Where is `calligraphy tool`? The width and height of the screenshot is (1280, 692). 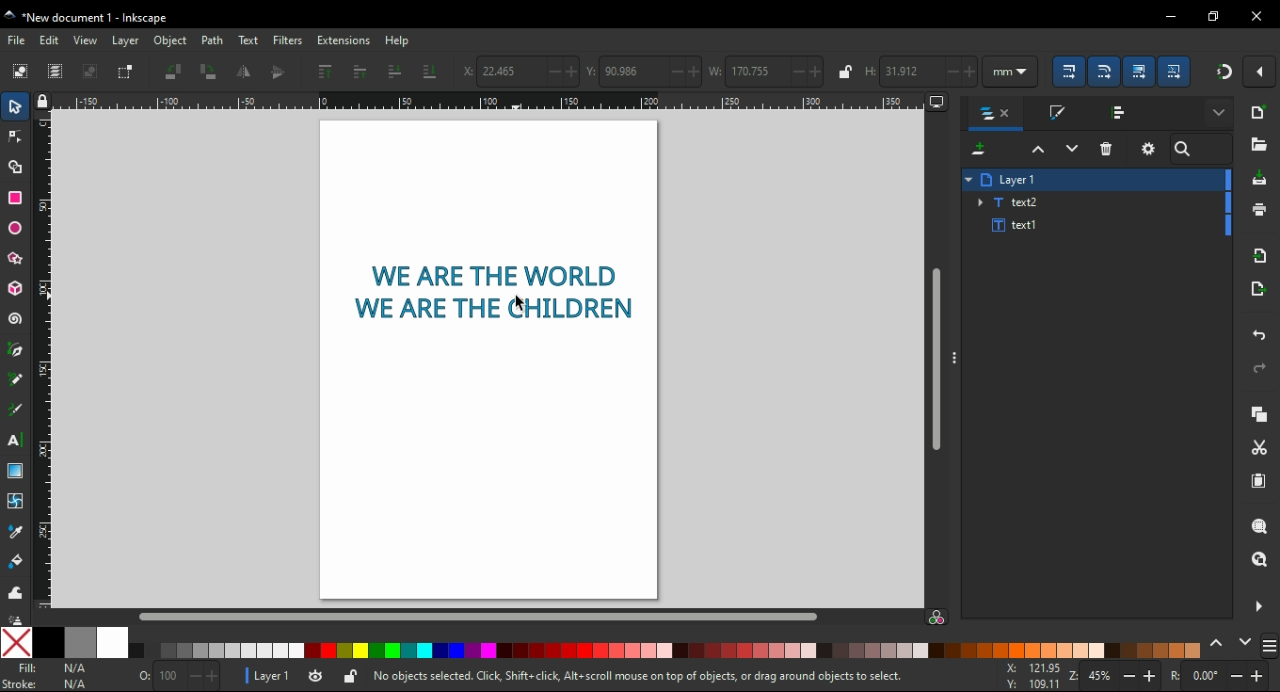 calligraphy tool is located at coordinates (15, 411).